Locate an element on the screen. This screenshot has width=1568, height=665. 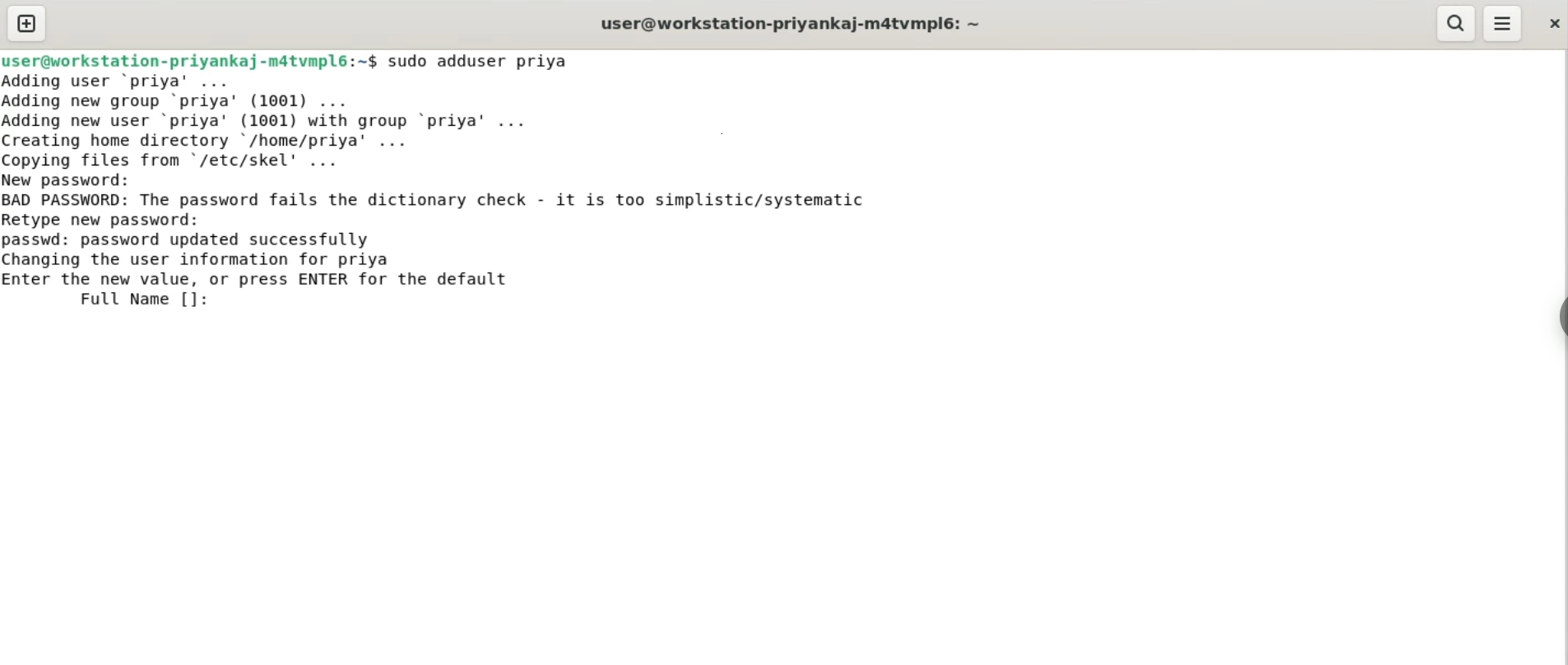
user@workstation-priyankaj-m4tvmpl6: ~ is located at coordinates (791, 26).